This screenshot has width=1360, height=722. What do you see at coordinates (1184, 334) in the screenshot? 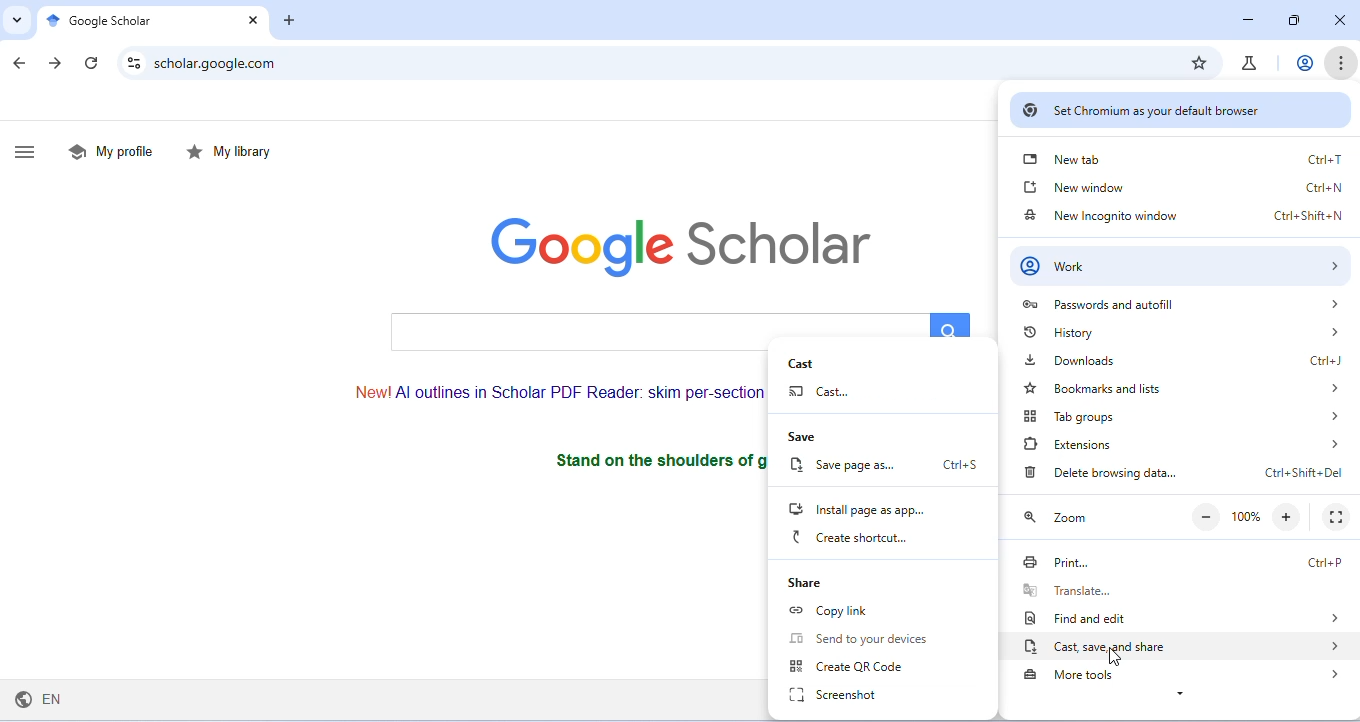
I see `history` at bounding box center [1184, 334].